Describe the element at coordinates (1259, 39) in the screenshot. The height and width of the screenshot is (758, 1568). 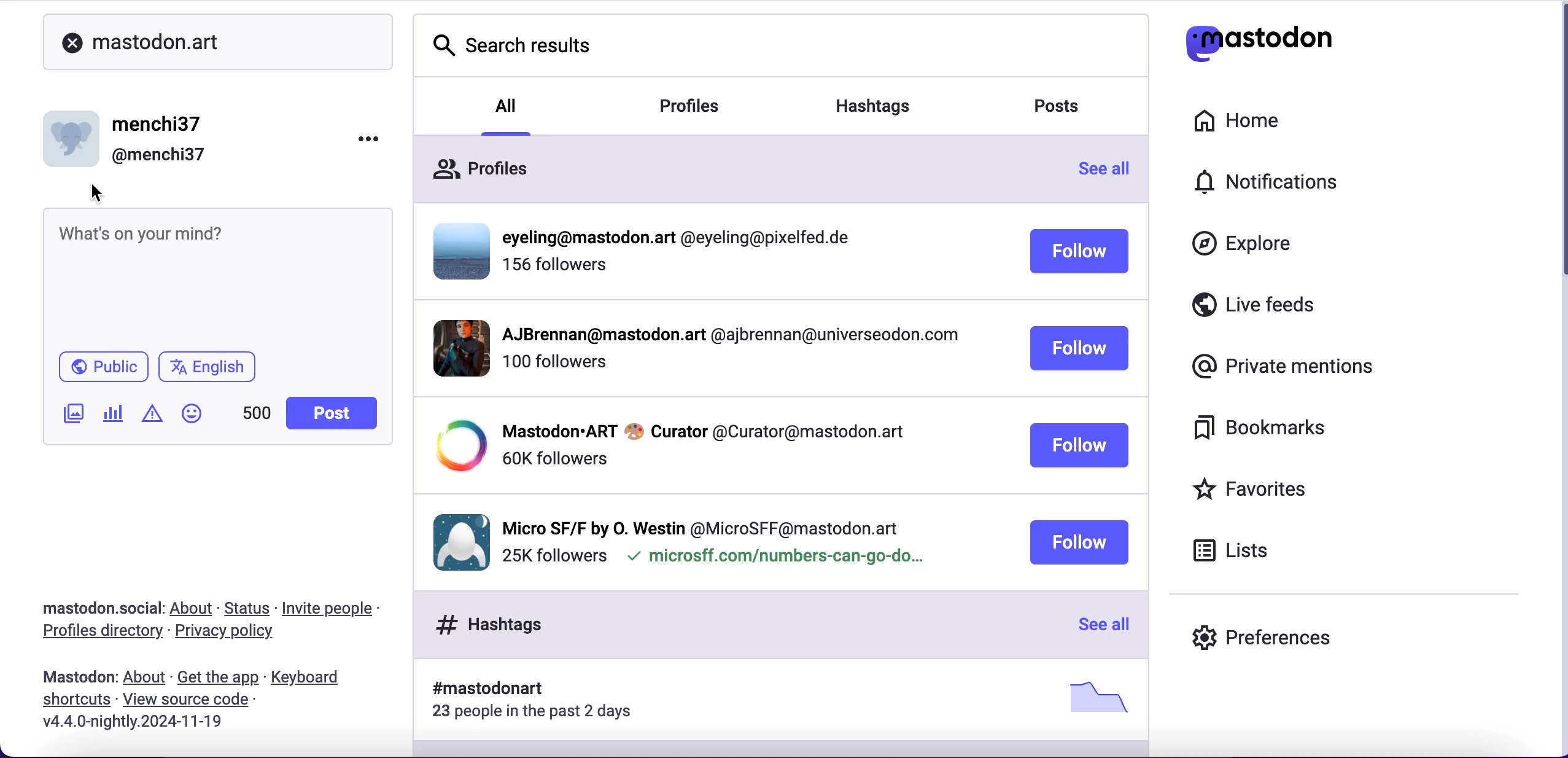
I see `mastodon logo` at that location.